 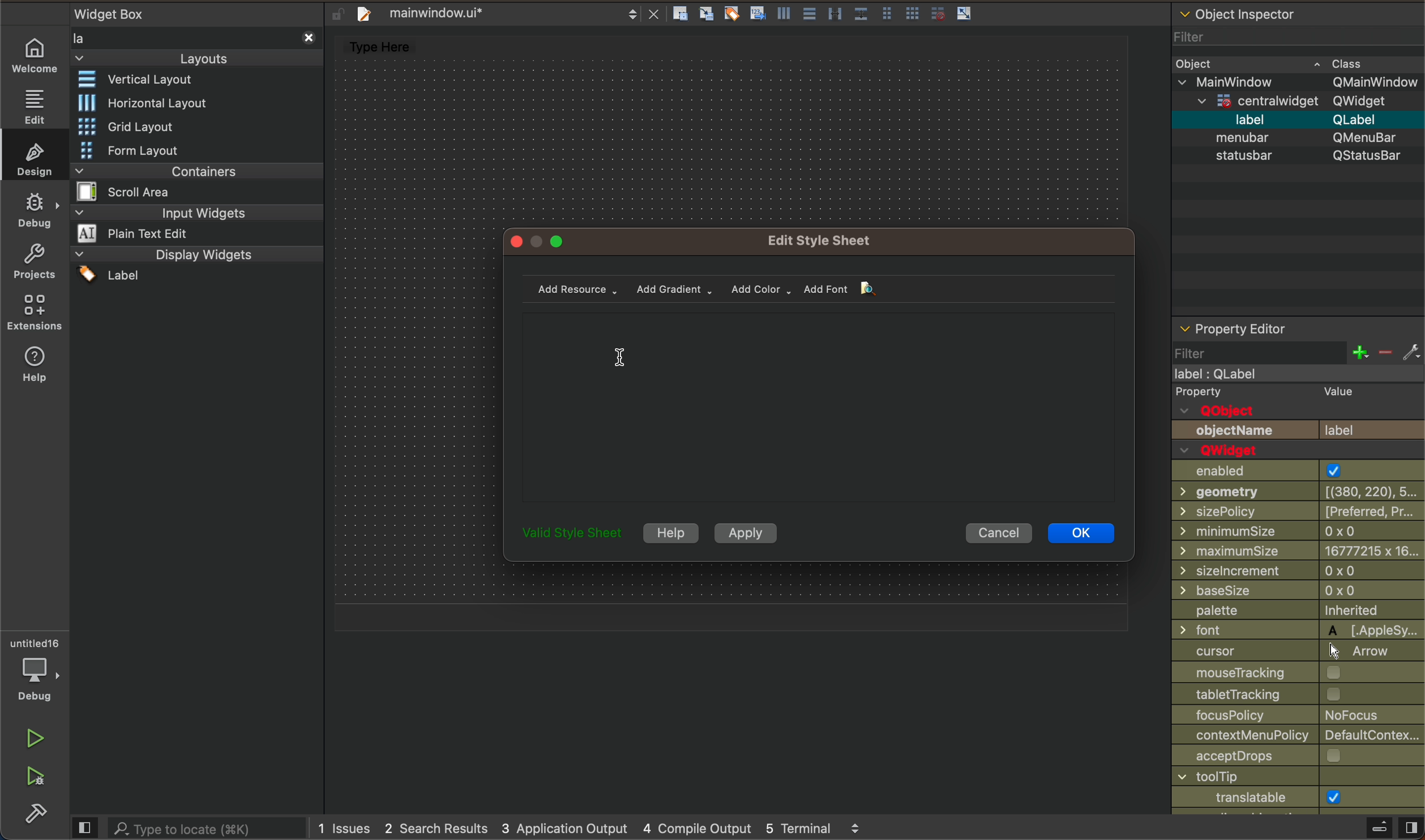 I want to click on file tab, so click(x=508, y=12).